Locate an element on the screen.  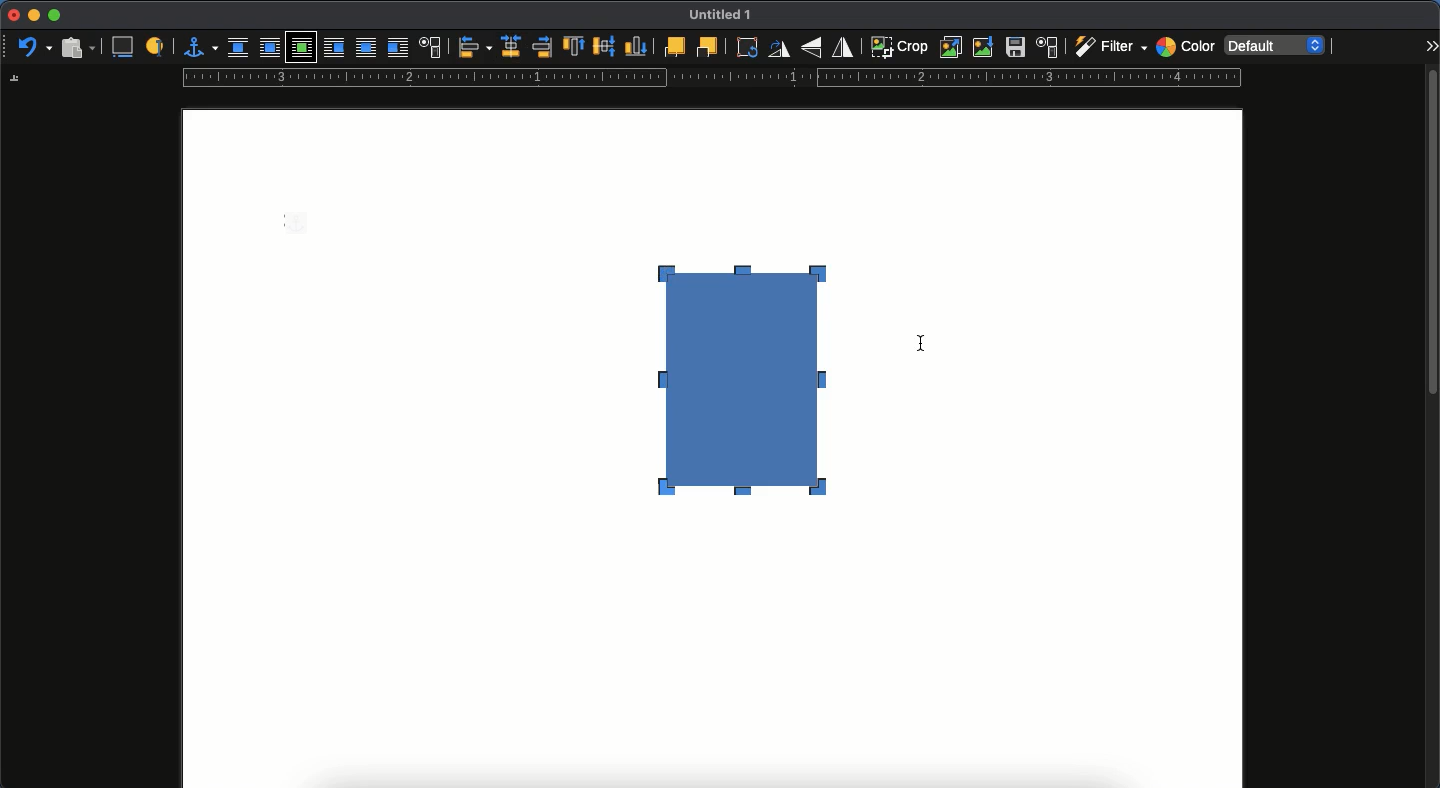
after is located at coordinates (397, 50).